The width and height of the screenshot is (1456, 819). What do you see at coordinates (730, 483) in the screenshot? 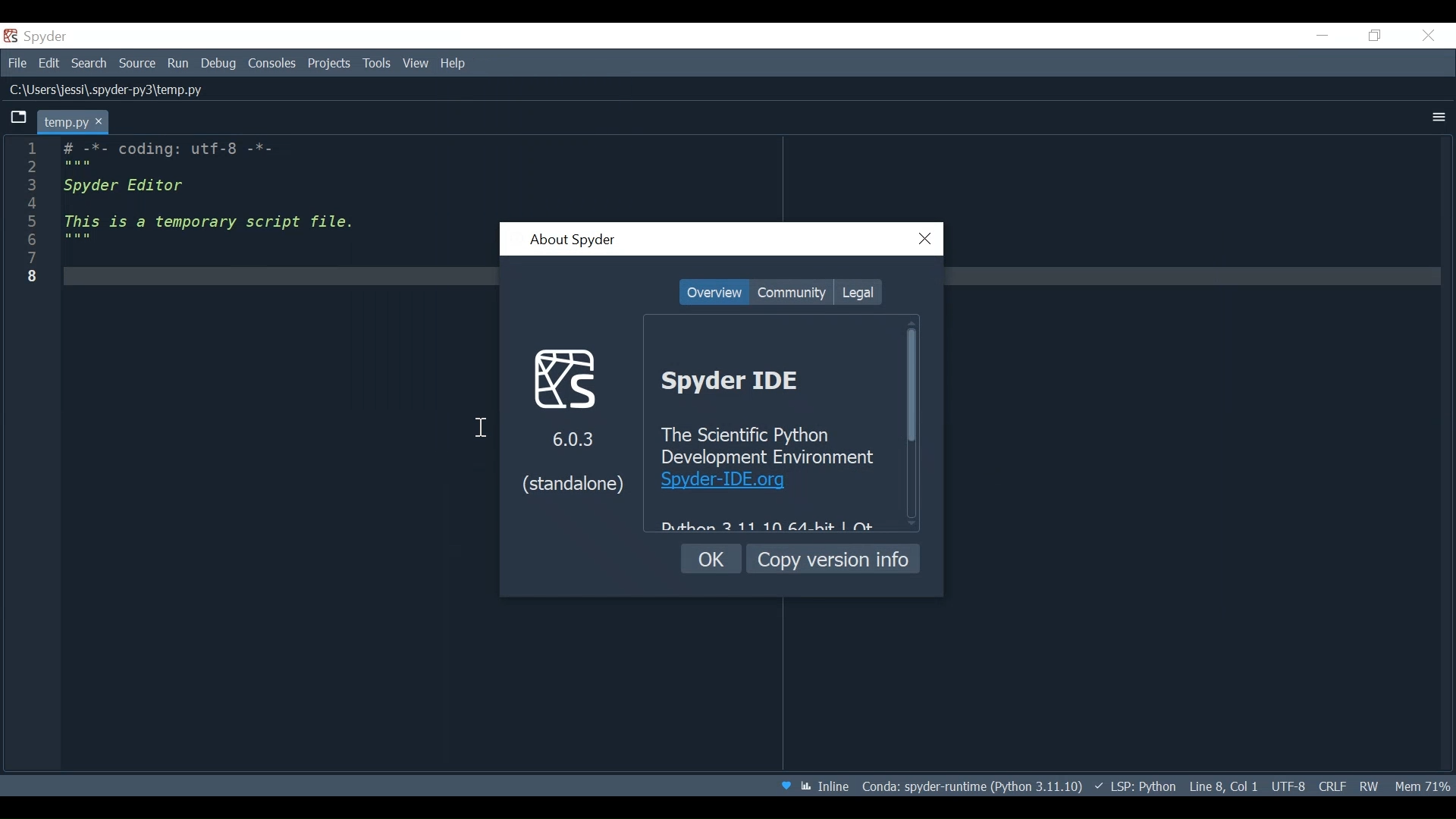
I see `hyperlink` at bounding box center [730, 483].